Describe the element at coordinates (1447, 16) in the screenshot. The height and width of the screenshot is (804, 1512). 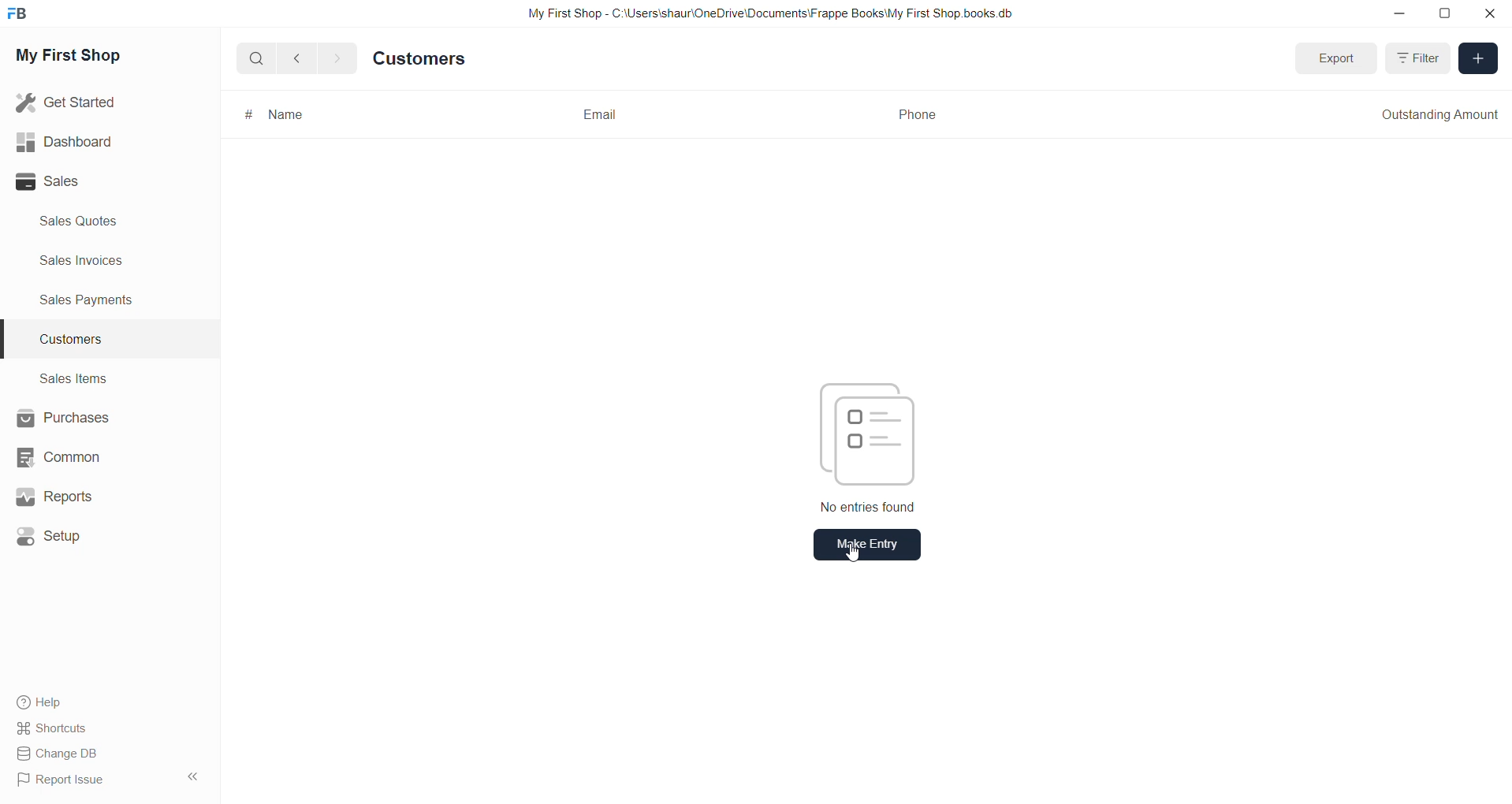
I see `resize` at that location.